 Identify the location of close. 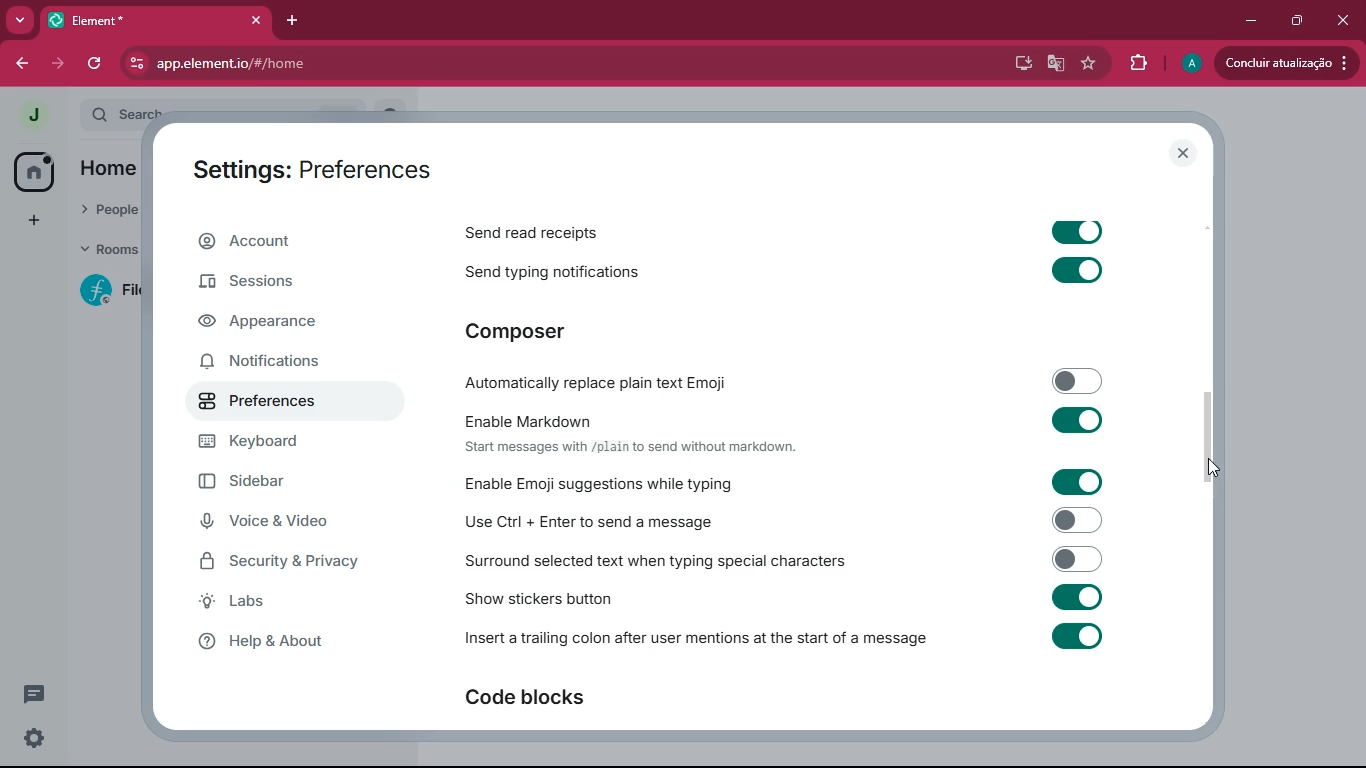
(1185, 153).